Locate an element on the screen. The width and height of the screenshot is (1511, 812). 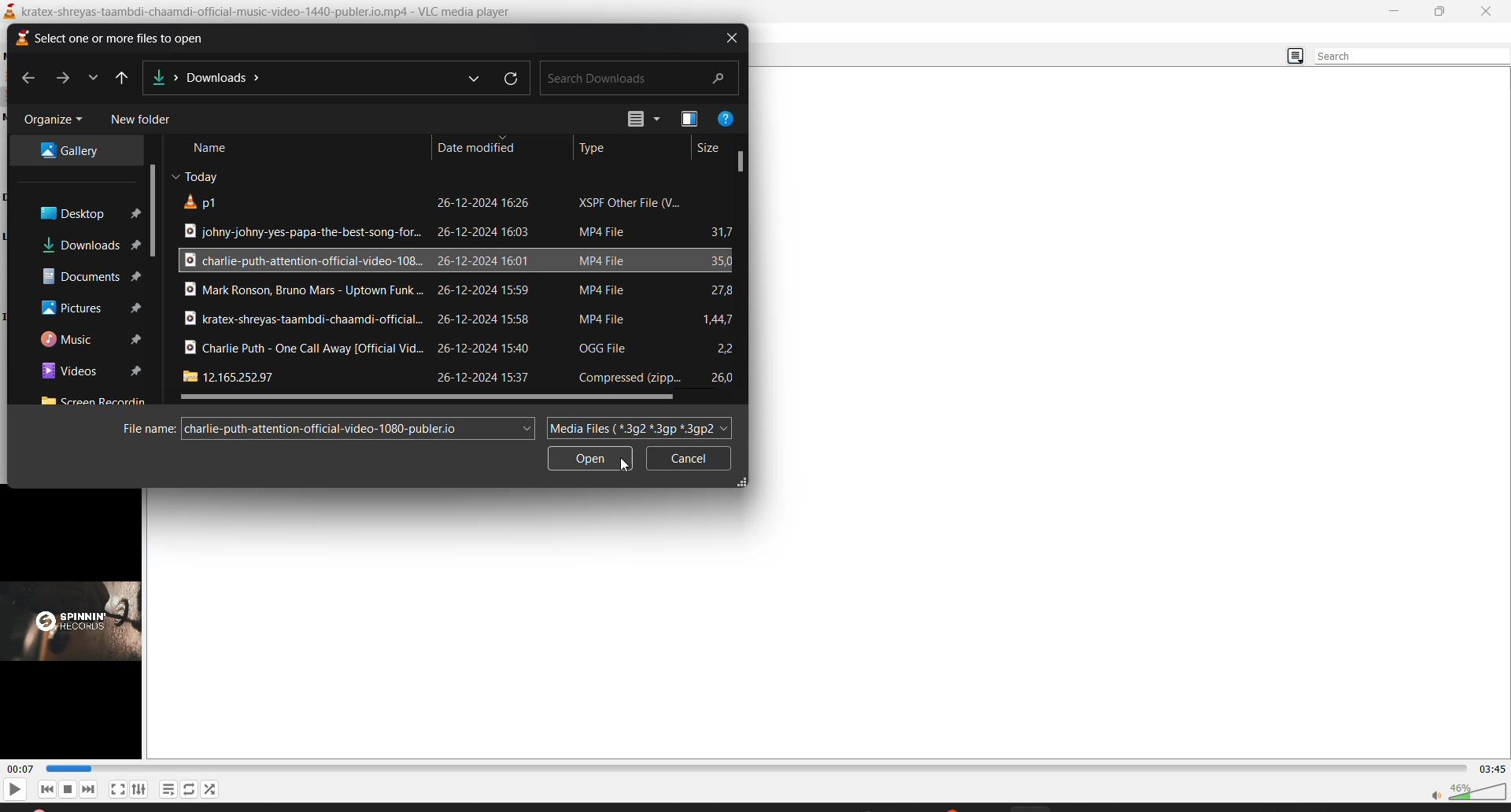
volume is located at coordinates (1468, 794).